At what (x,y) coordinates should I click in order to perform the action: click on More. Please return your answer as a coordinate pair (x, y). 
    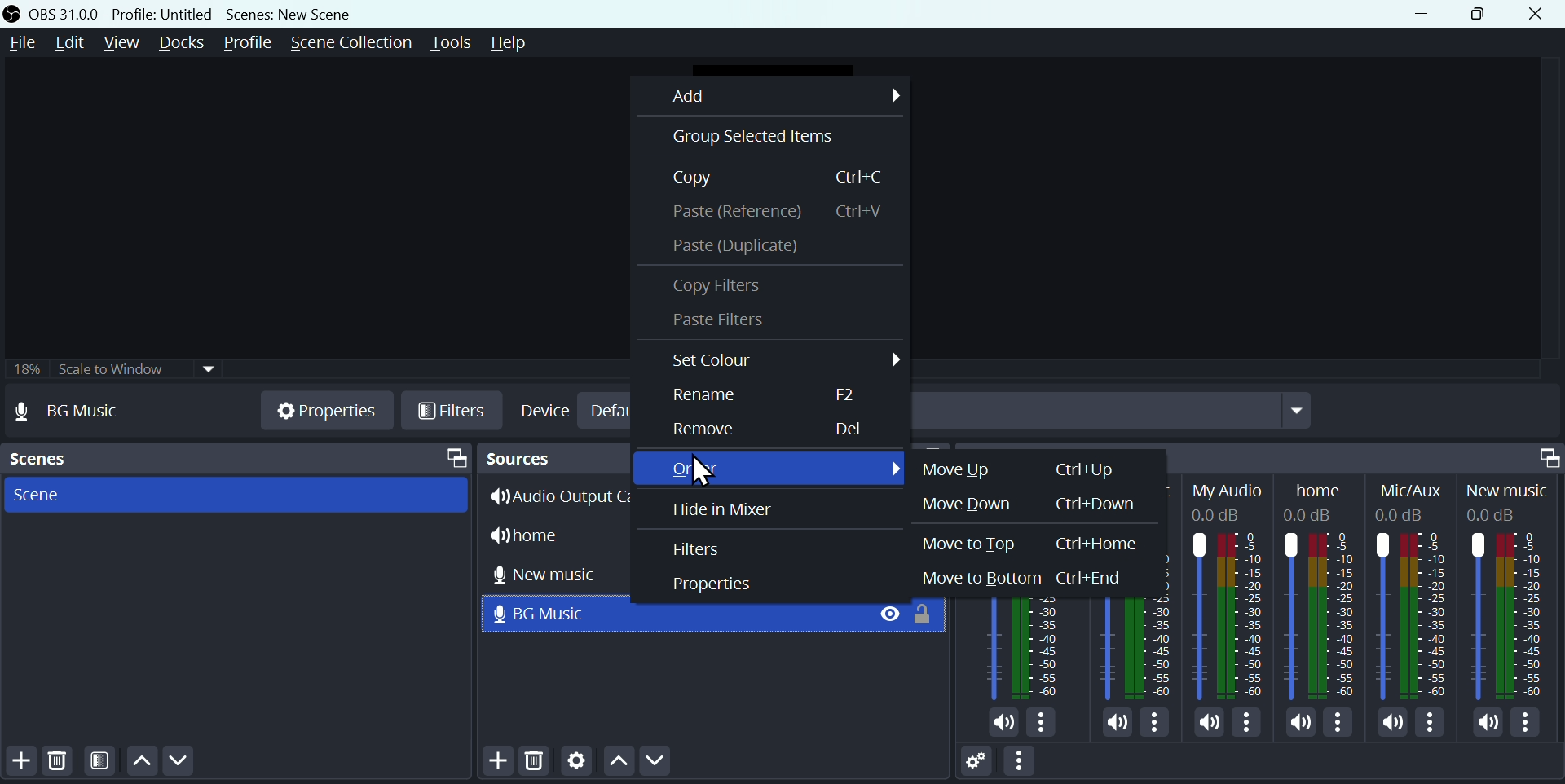
    Looking at the image, I should click on (1045, 724).